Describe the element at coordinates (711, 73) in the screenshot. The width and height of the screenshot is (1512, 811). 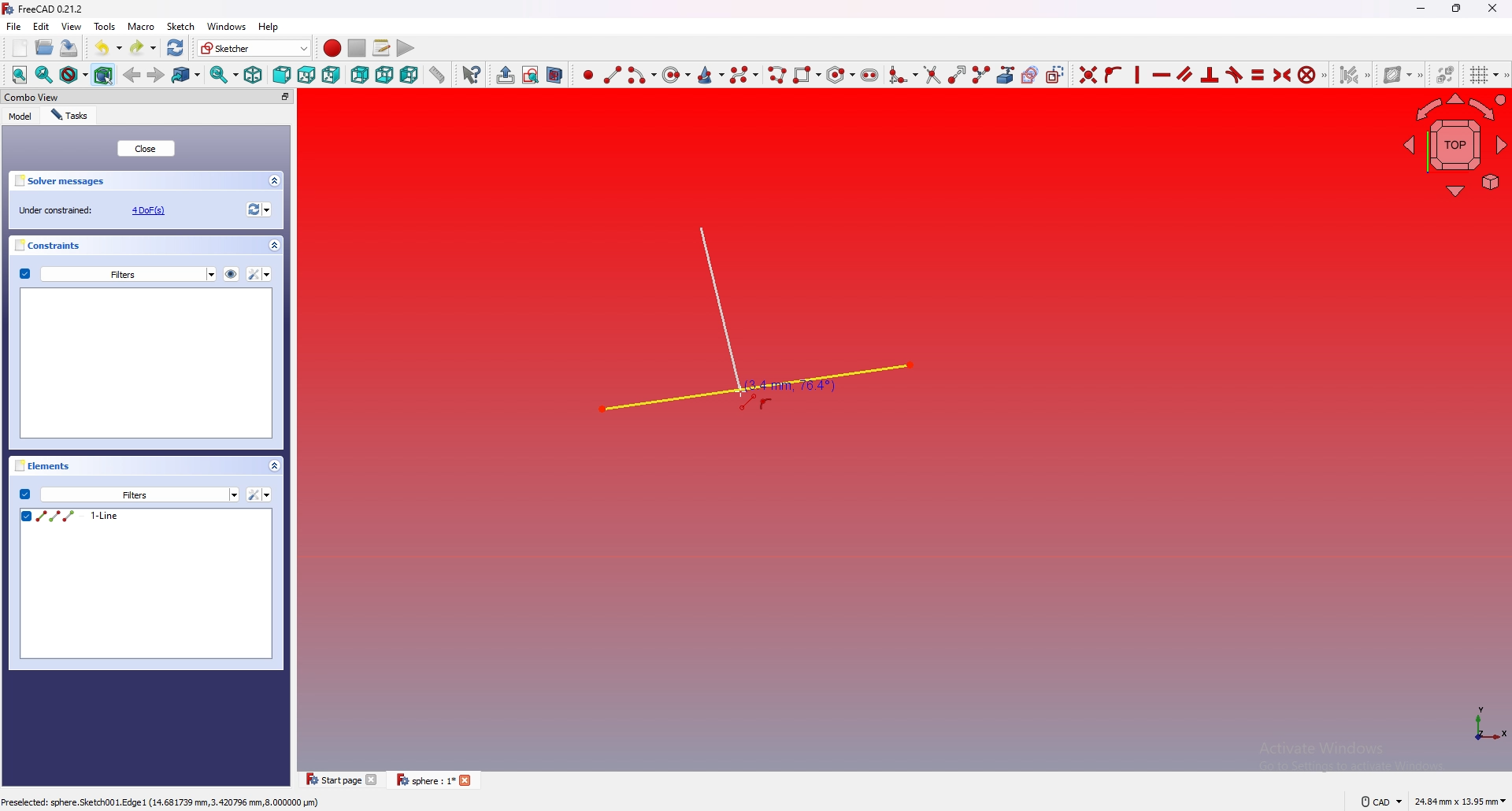
I see `Create conic` at that location.